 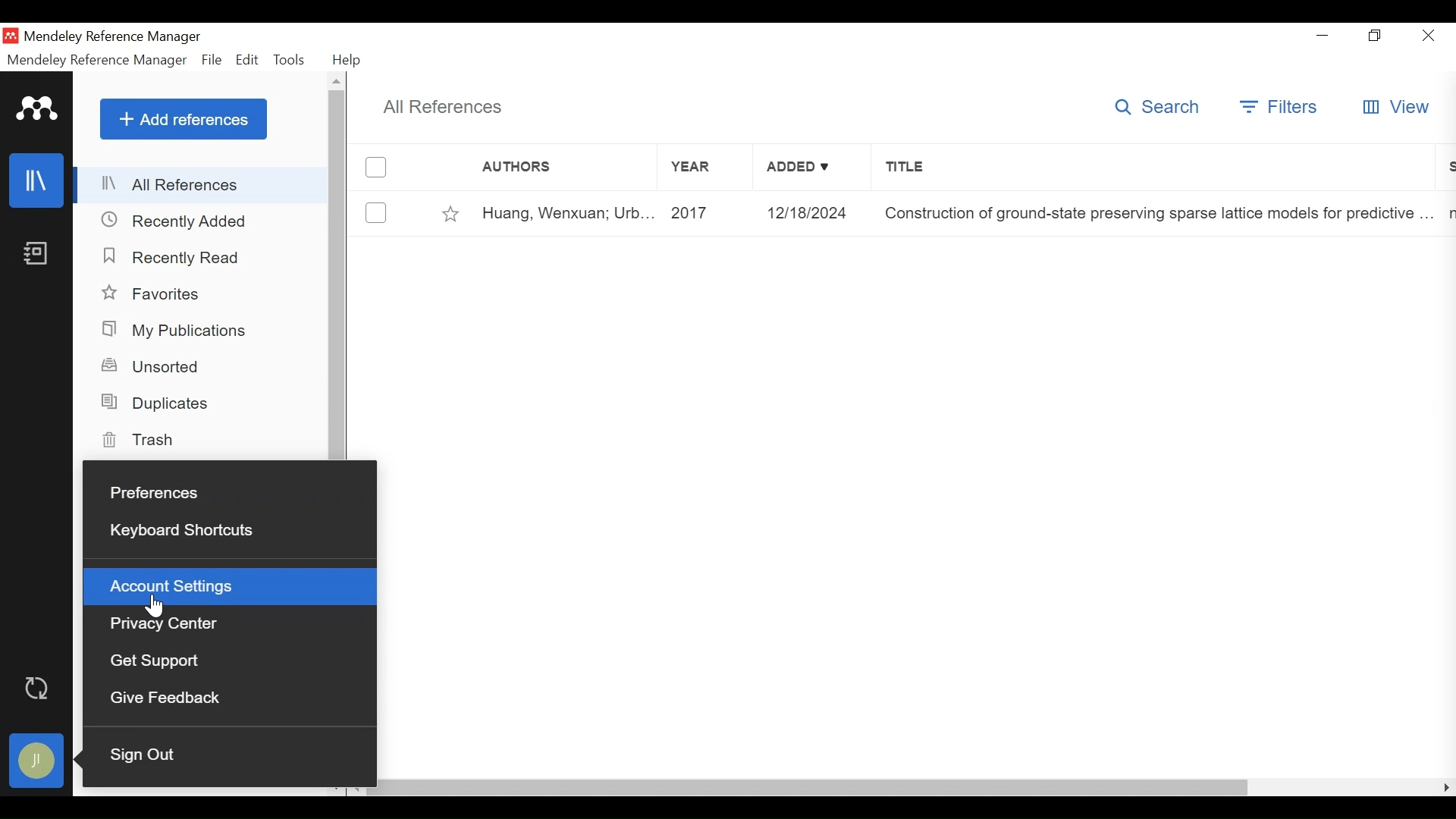 I want to click on Scroll up, so click(x=336, y=81).